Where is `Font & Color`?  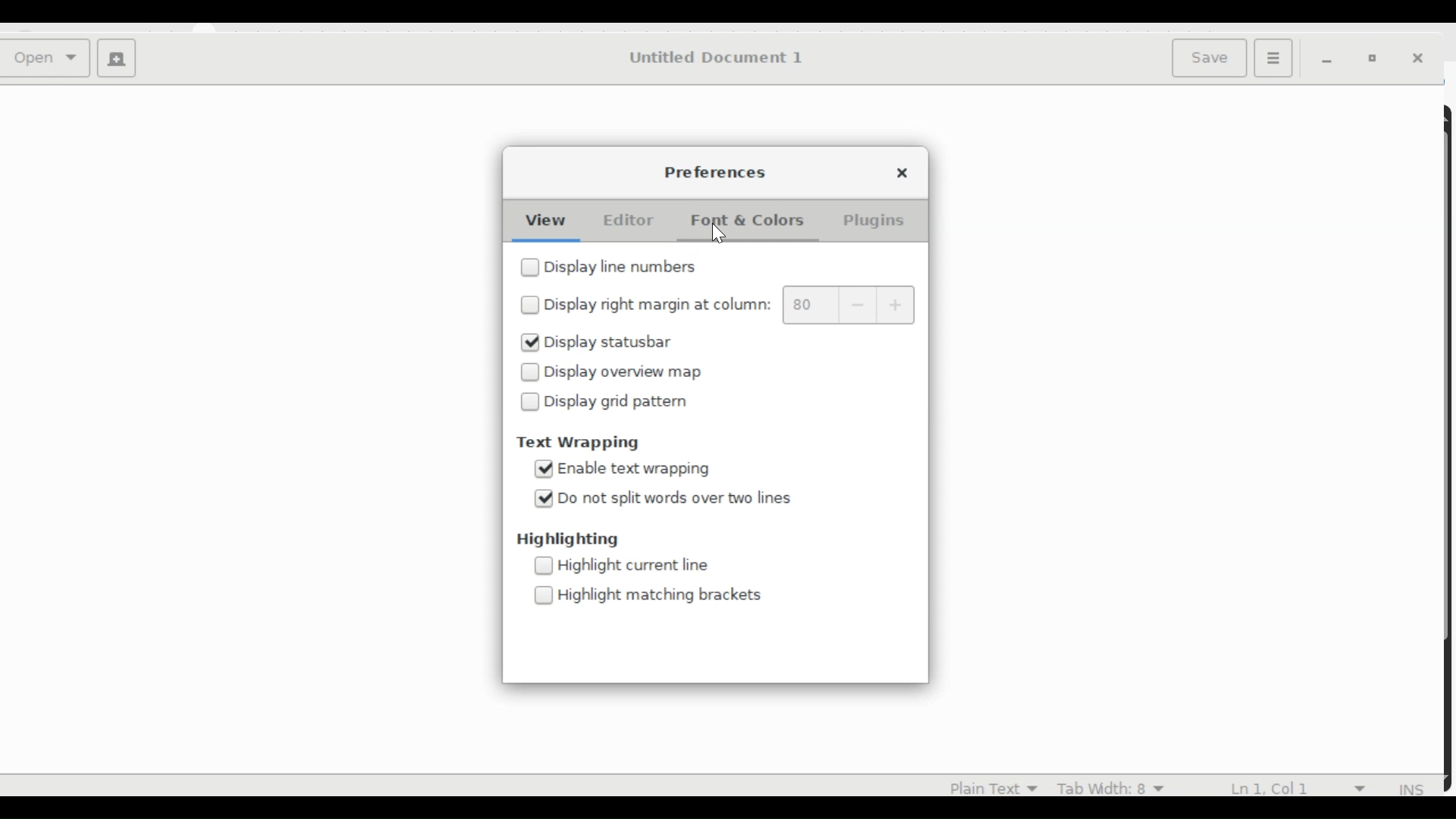 Font & Color is located at coordinates (754, 222).